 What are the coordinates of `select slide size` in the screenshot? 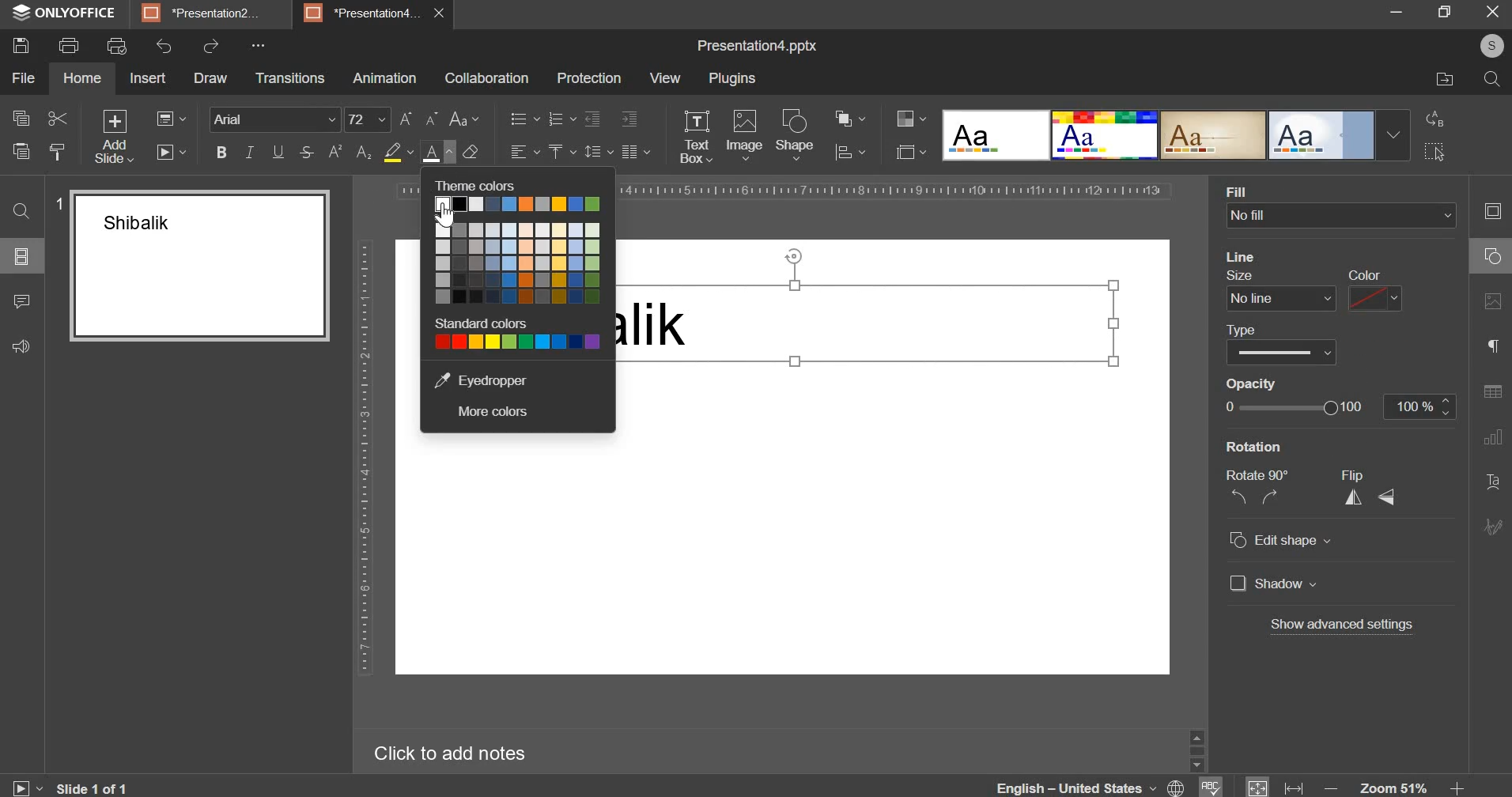 It's located at (911, 152).